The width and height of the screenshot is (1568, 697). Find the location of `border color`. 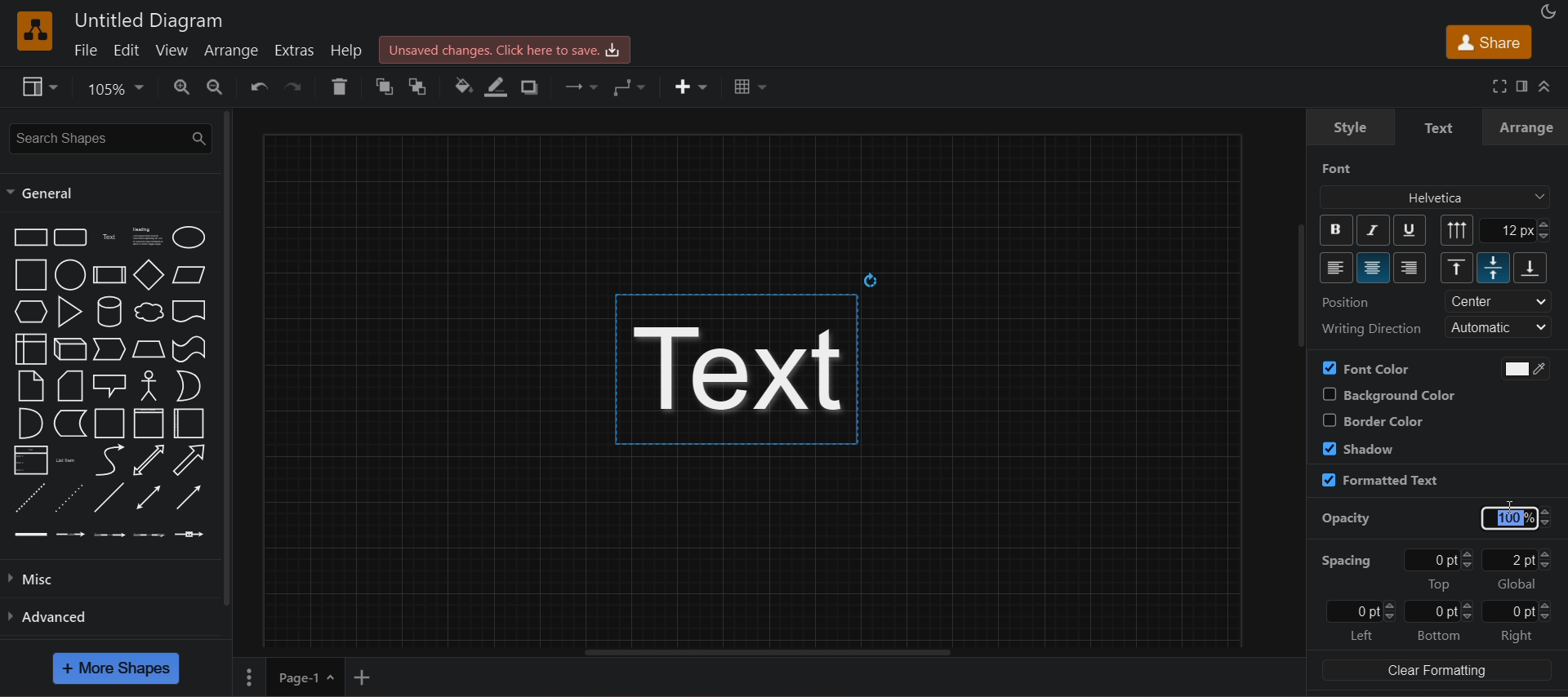

border color is located at coordinates (1372, 420).